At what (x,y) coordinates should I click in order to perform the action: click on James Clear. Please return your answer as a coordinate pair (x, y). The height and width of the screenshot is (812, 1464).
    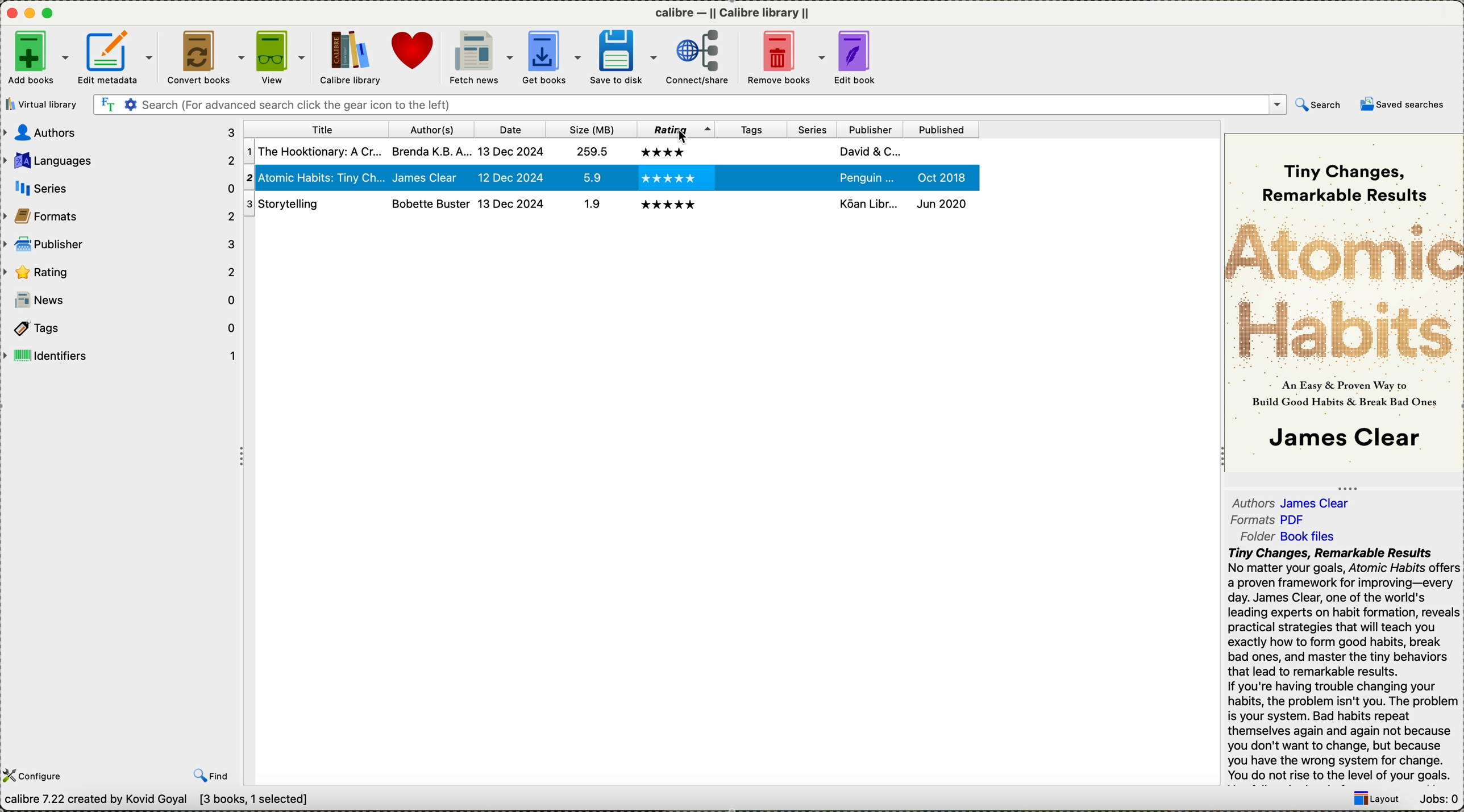
    Looking at the image, I should click on (1321, 502).